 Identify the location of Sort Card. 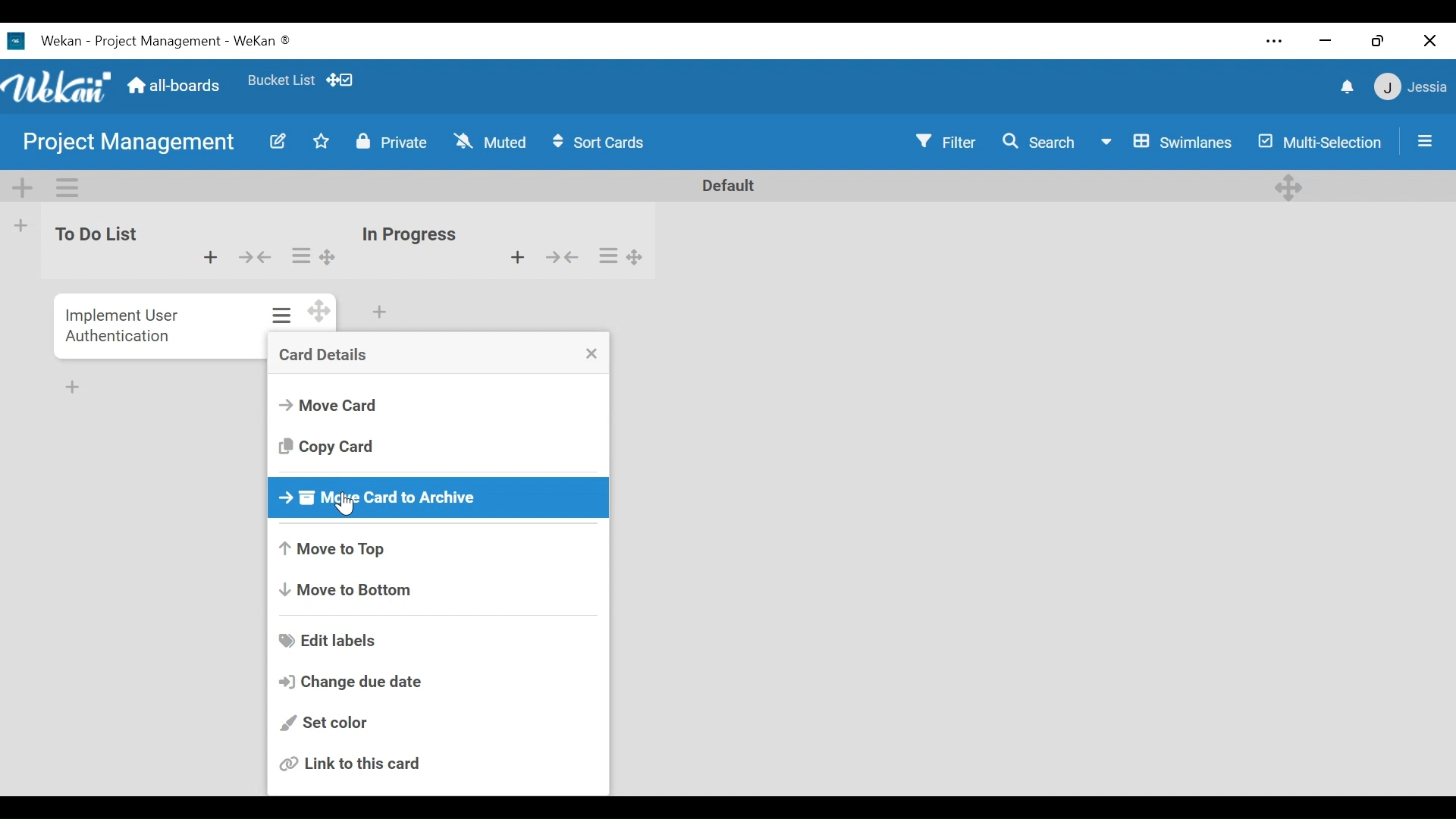
(606, 143).